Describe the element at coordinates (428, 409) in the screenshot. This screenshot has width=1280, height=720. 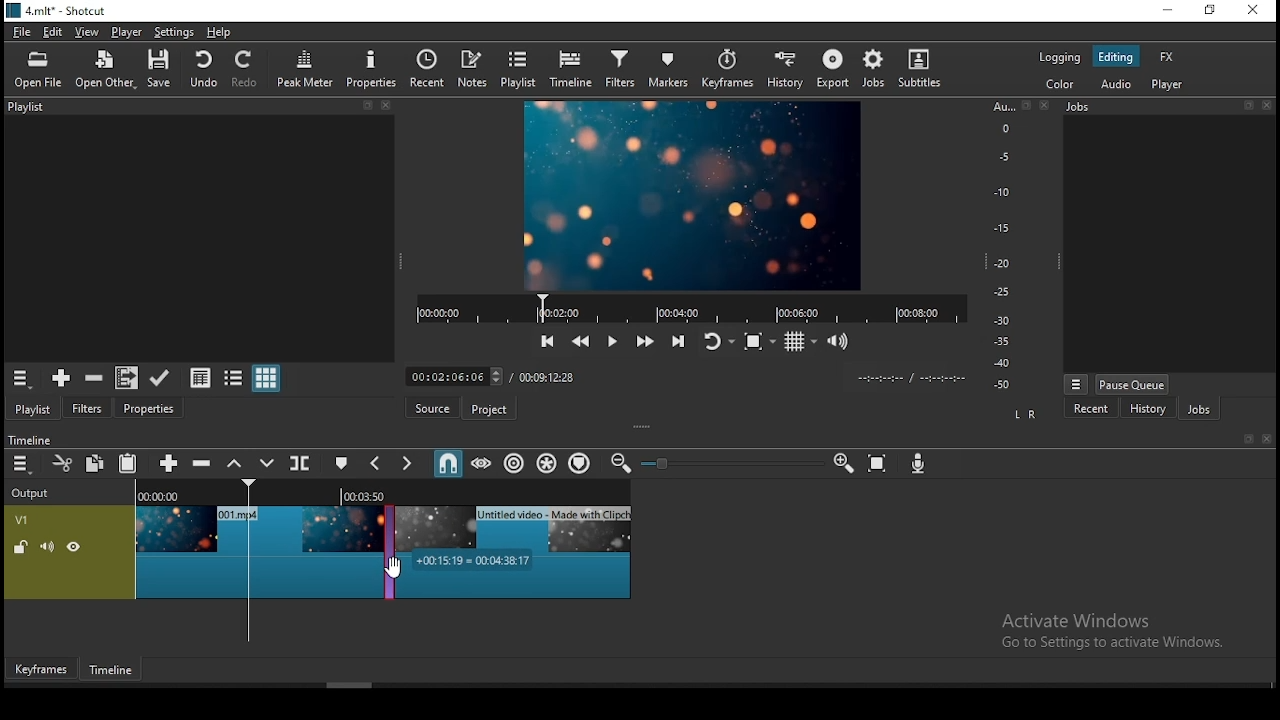
I see `source` at that location.